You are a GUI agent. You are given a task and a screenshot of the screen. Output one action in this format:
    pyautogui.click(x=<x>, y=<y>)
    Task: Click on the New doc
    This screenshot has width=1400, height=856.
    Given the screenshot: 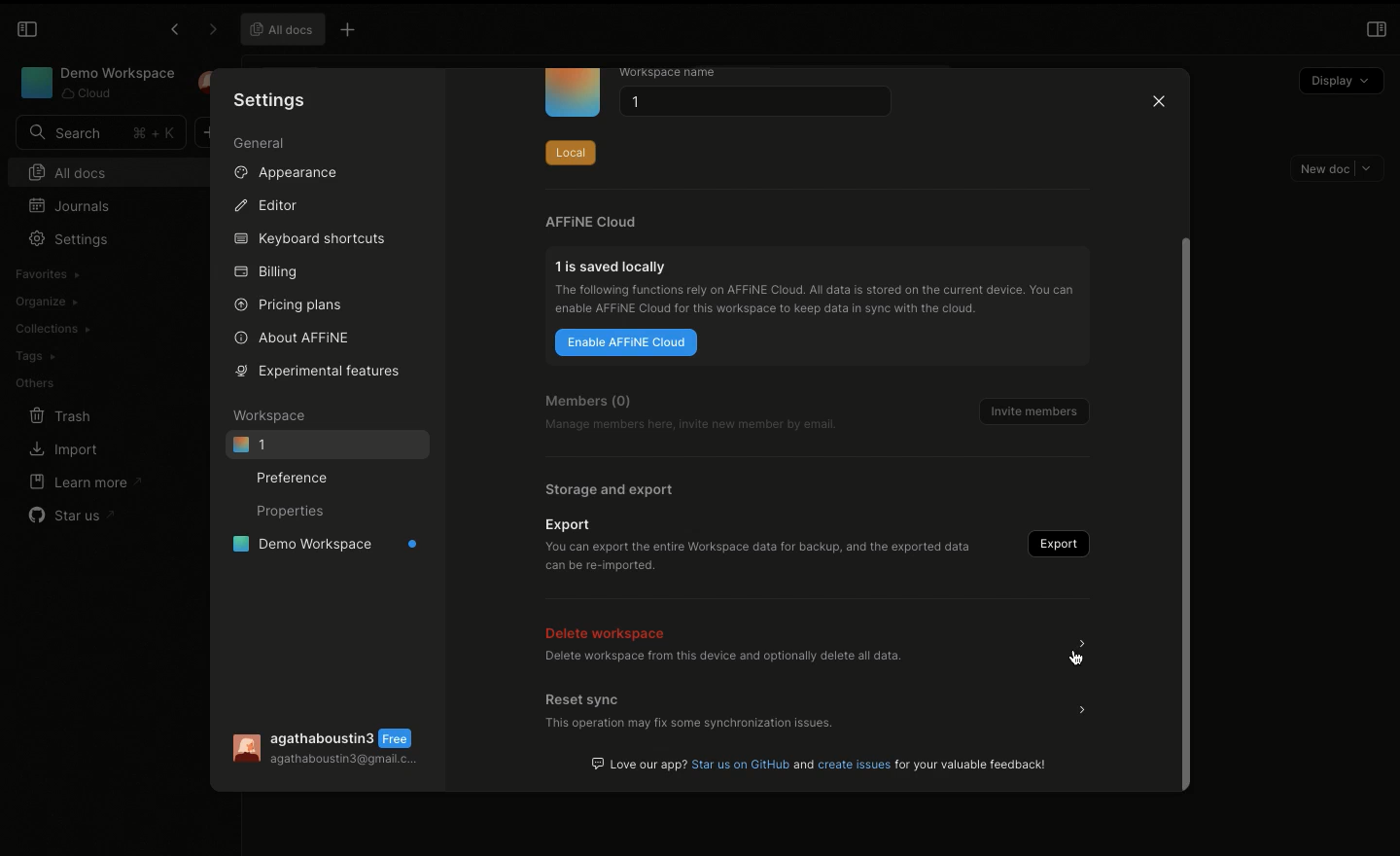 What is the action you would take?
    pyautogui.click(x=1338, y=168)
    